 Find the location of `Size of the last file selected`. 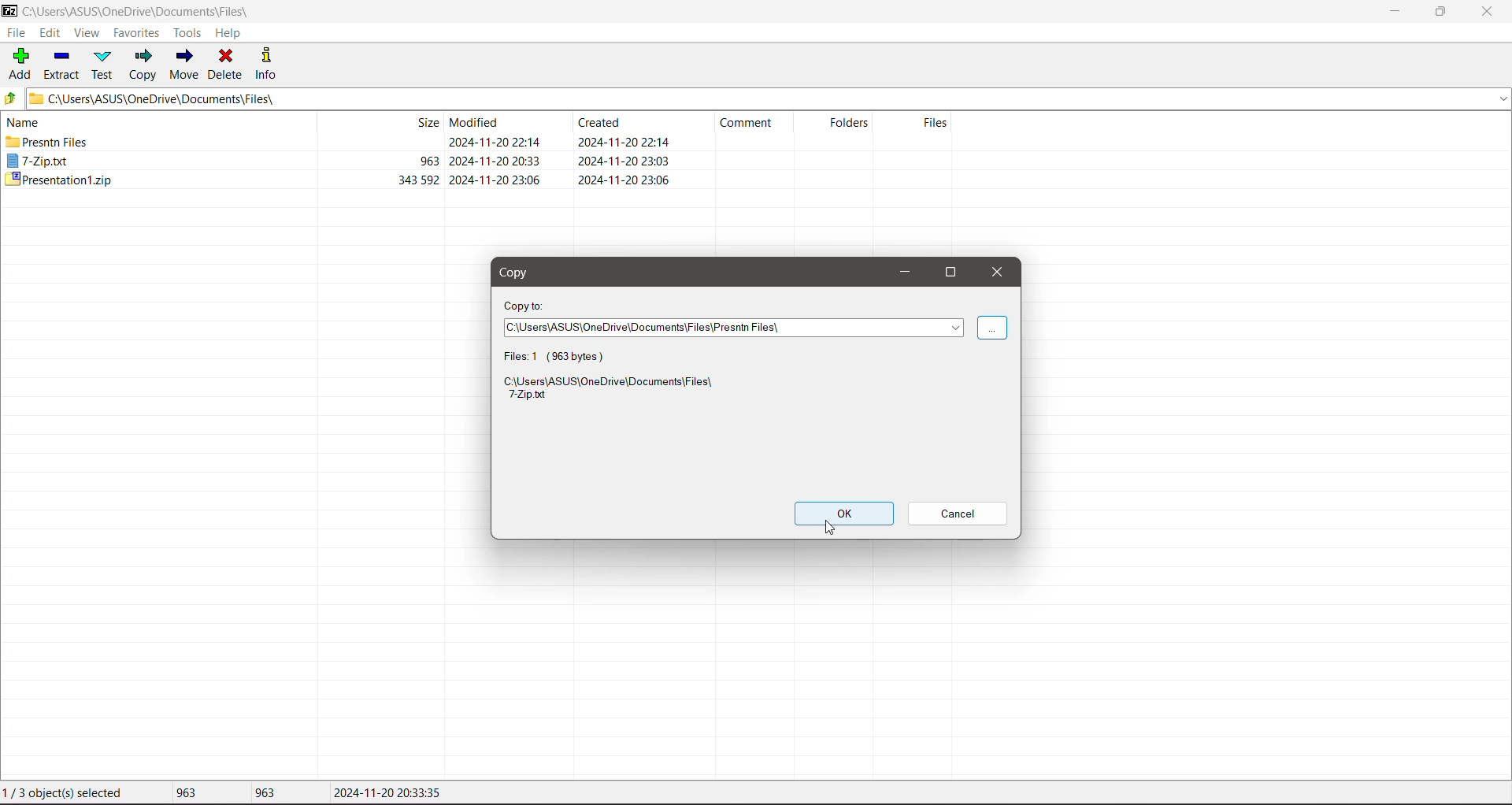

Size of the last file selected is located at coordinates (265, 792).